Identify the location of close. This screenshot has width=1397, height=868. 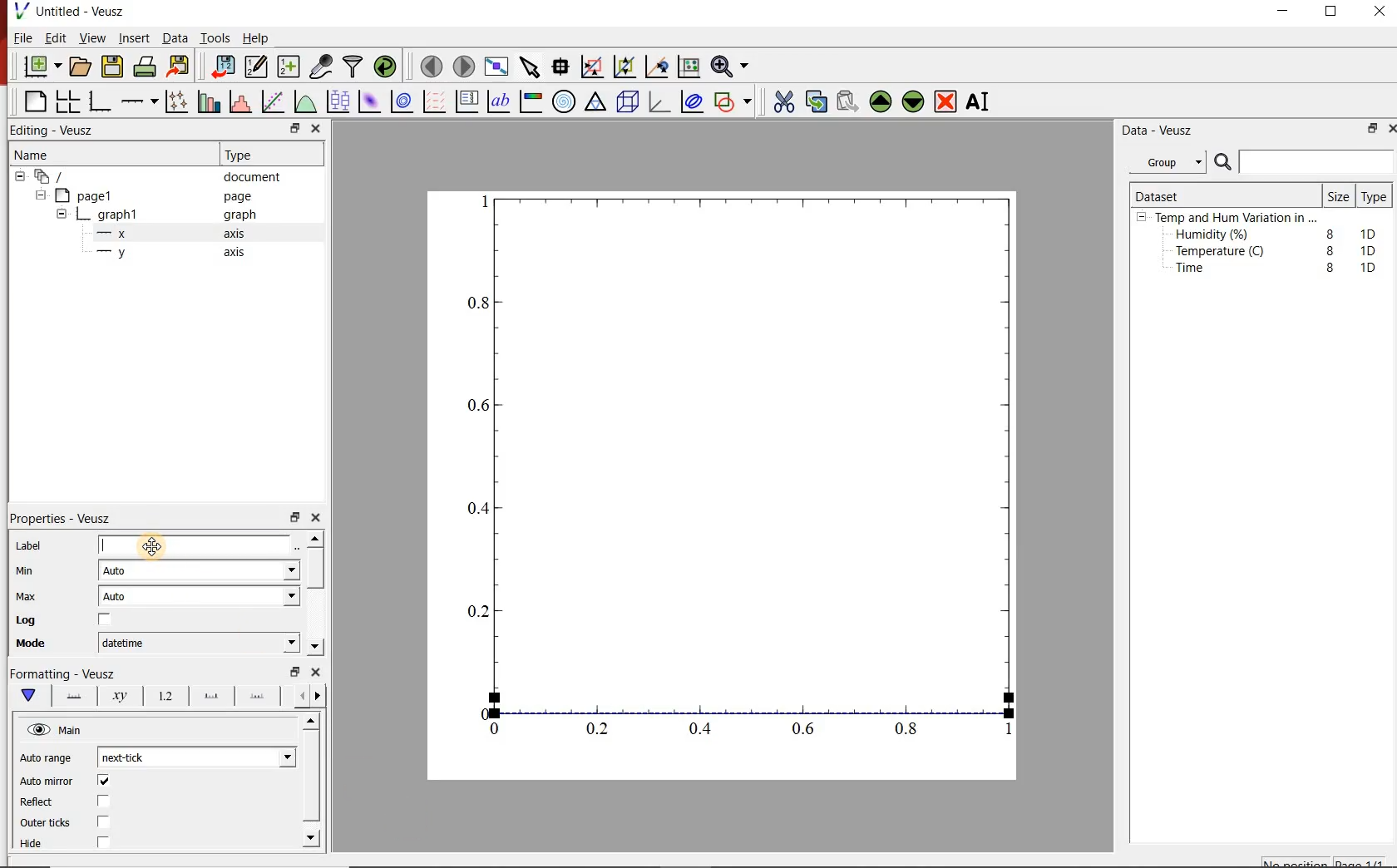
(318, 673).